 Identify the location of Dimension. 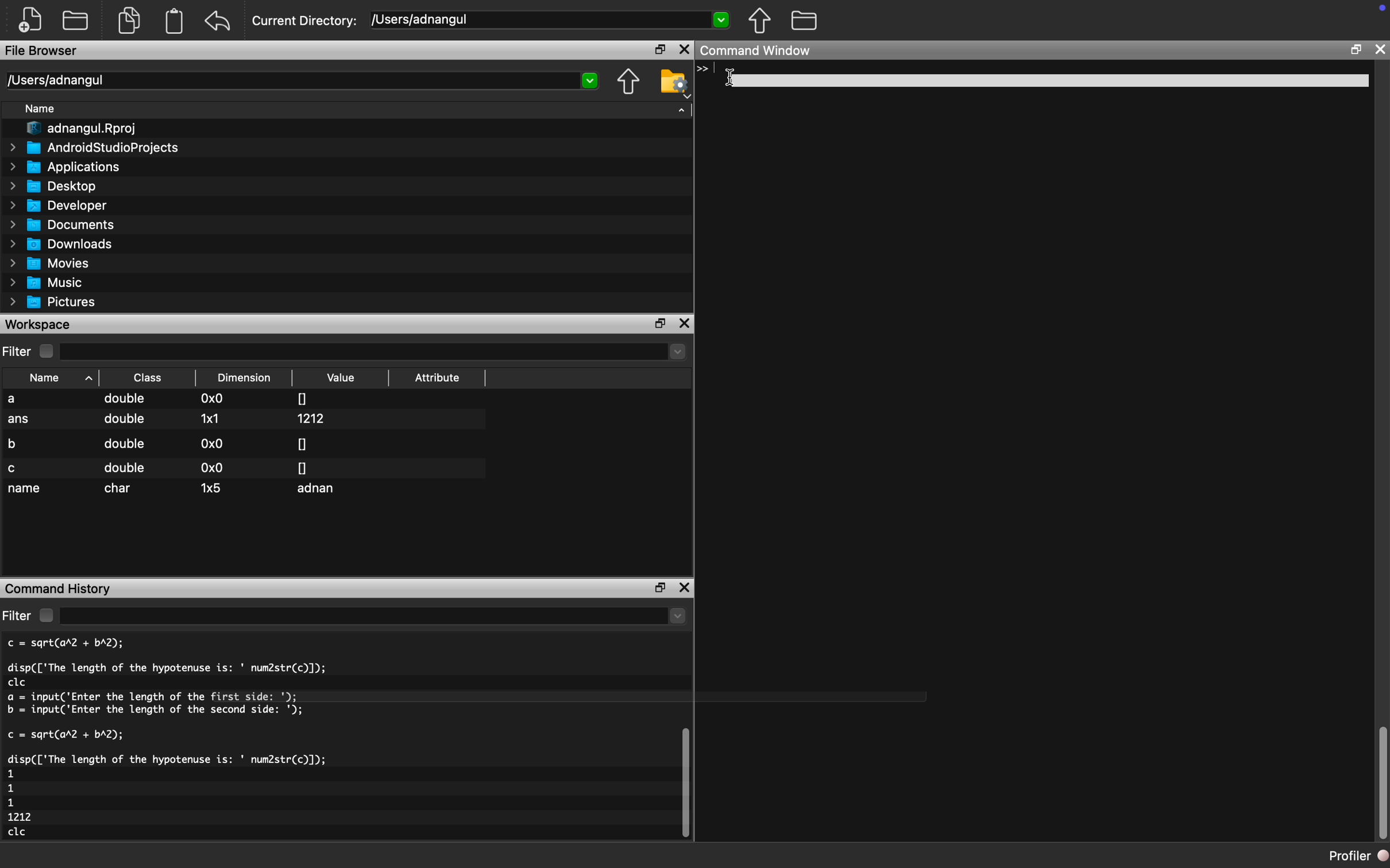
(248, 378).